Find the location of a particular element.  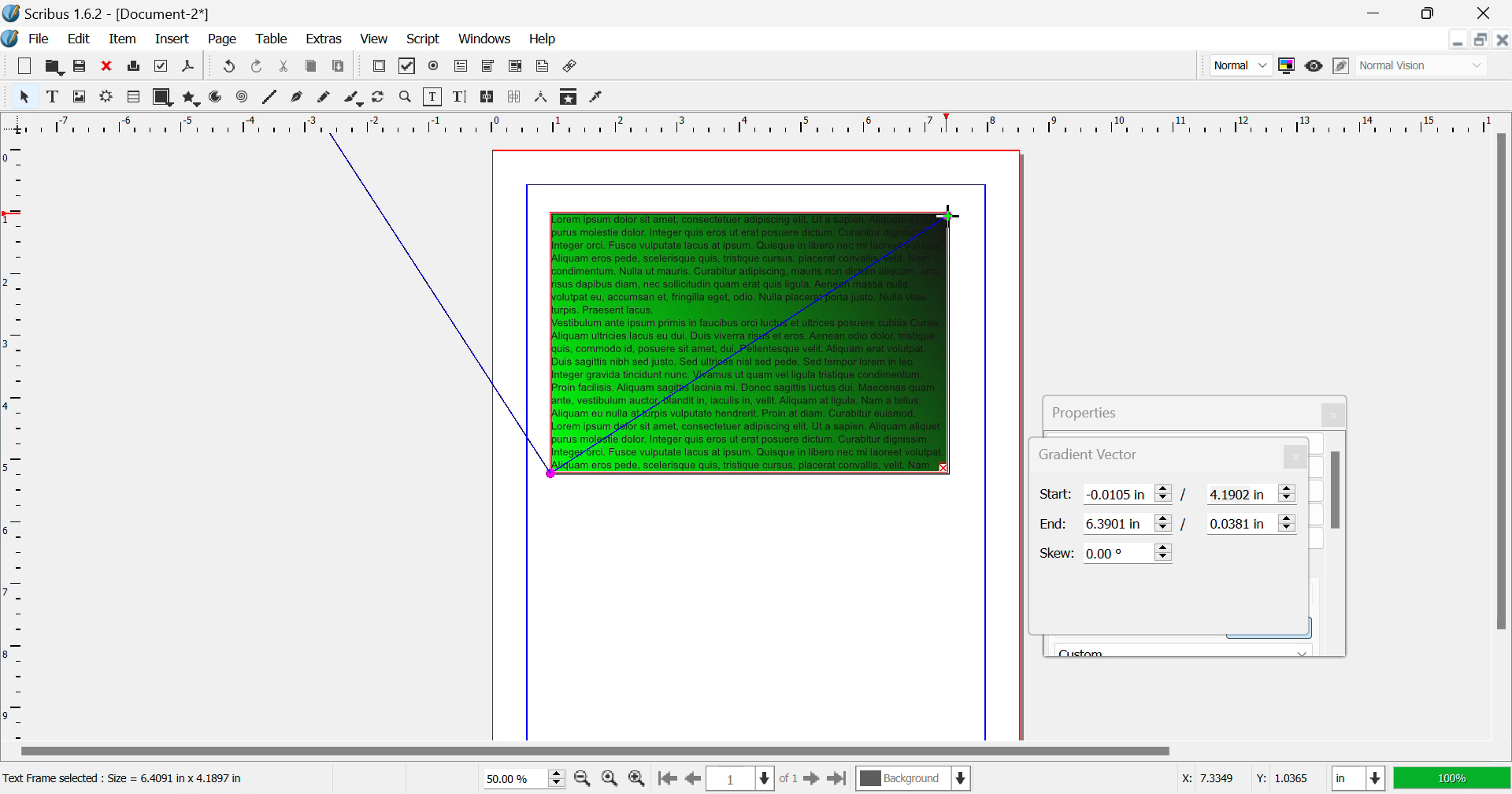

Cut is located at coordinates (285, 68).